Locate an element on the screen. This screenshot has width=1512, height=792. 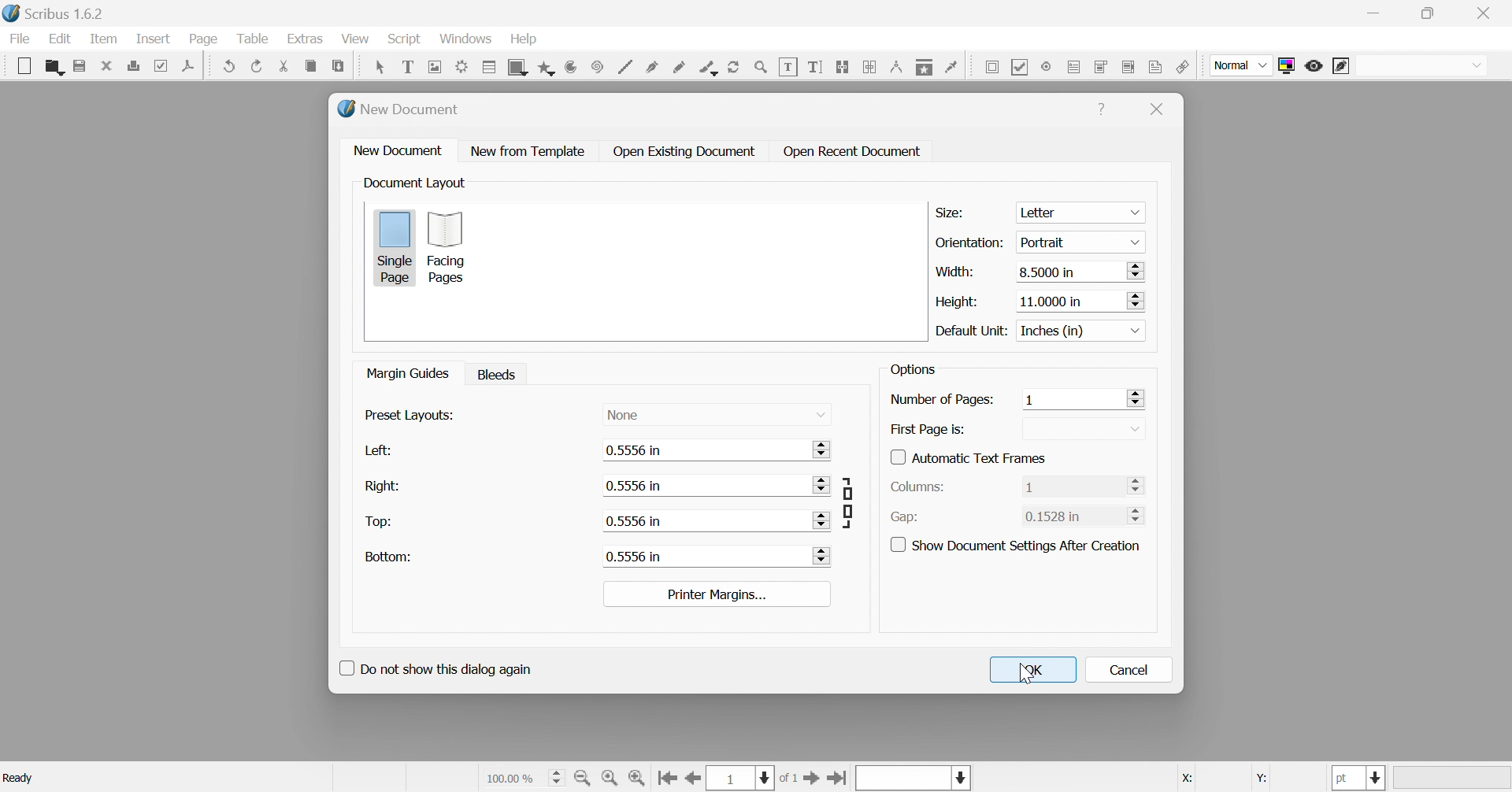
open is located at coordinates (53, 65).